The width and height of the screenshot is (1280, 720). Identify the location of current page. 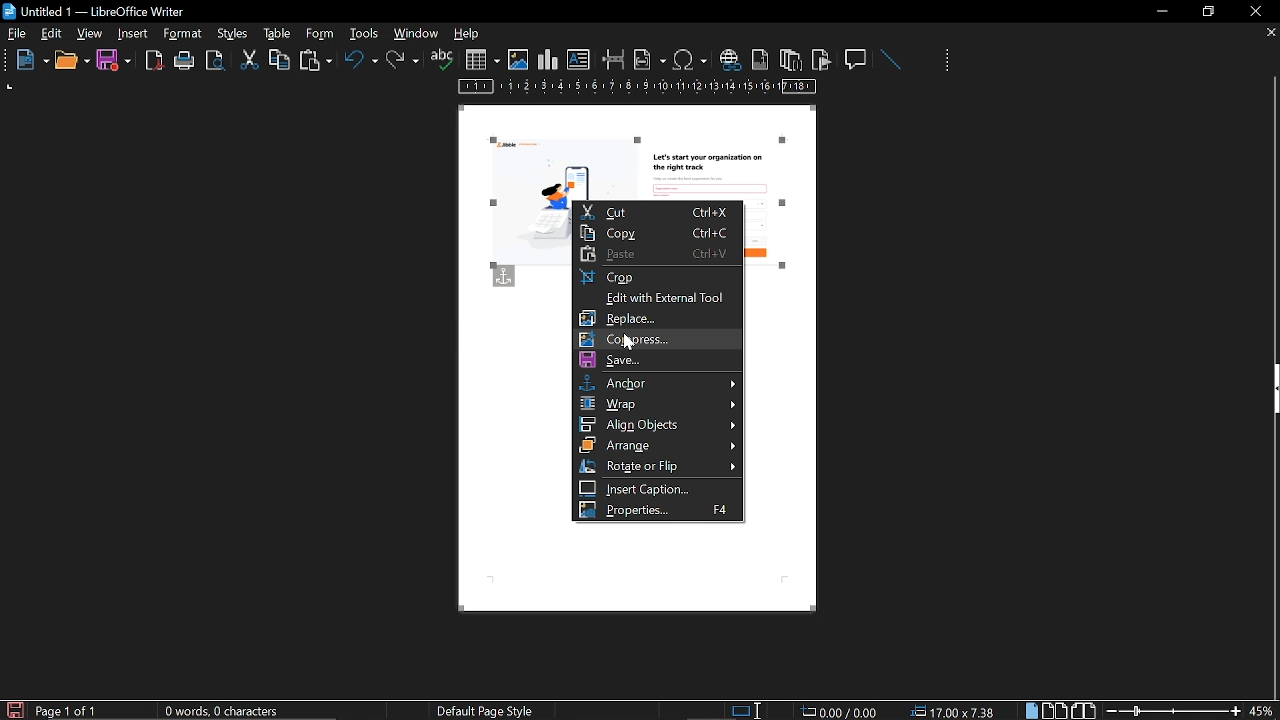
(67, 711).